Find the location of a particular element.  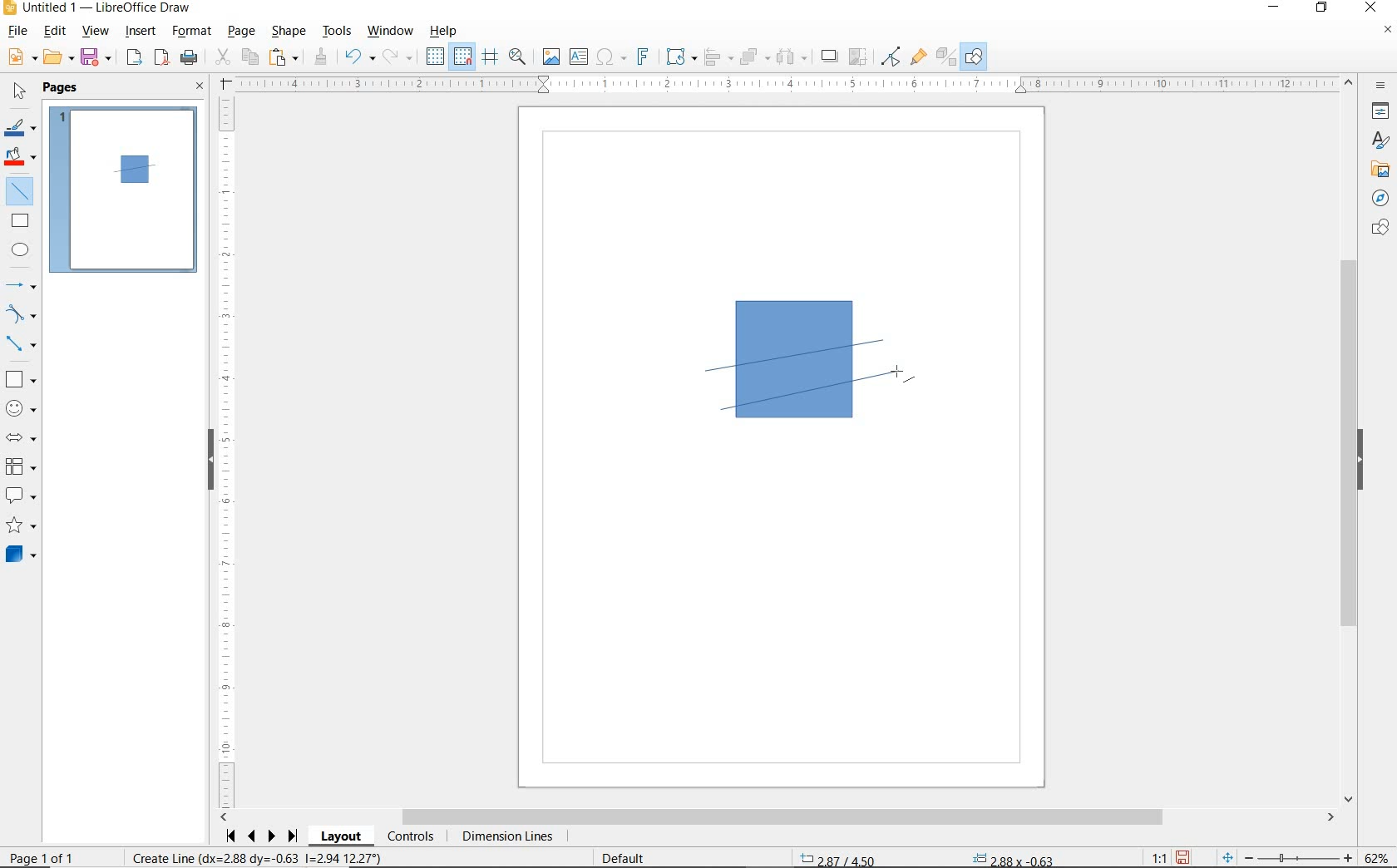

STANDARD SELECTION is located at coordinates (926, 856).